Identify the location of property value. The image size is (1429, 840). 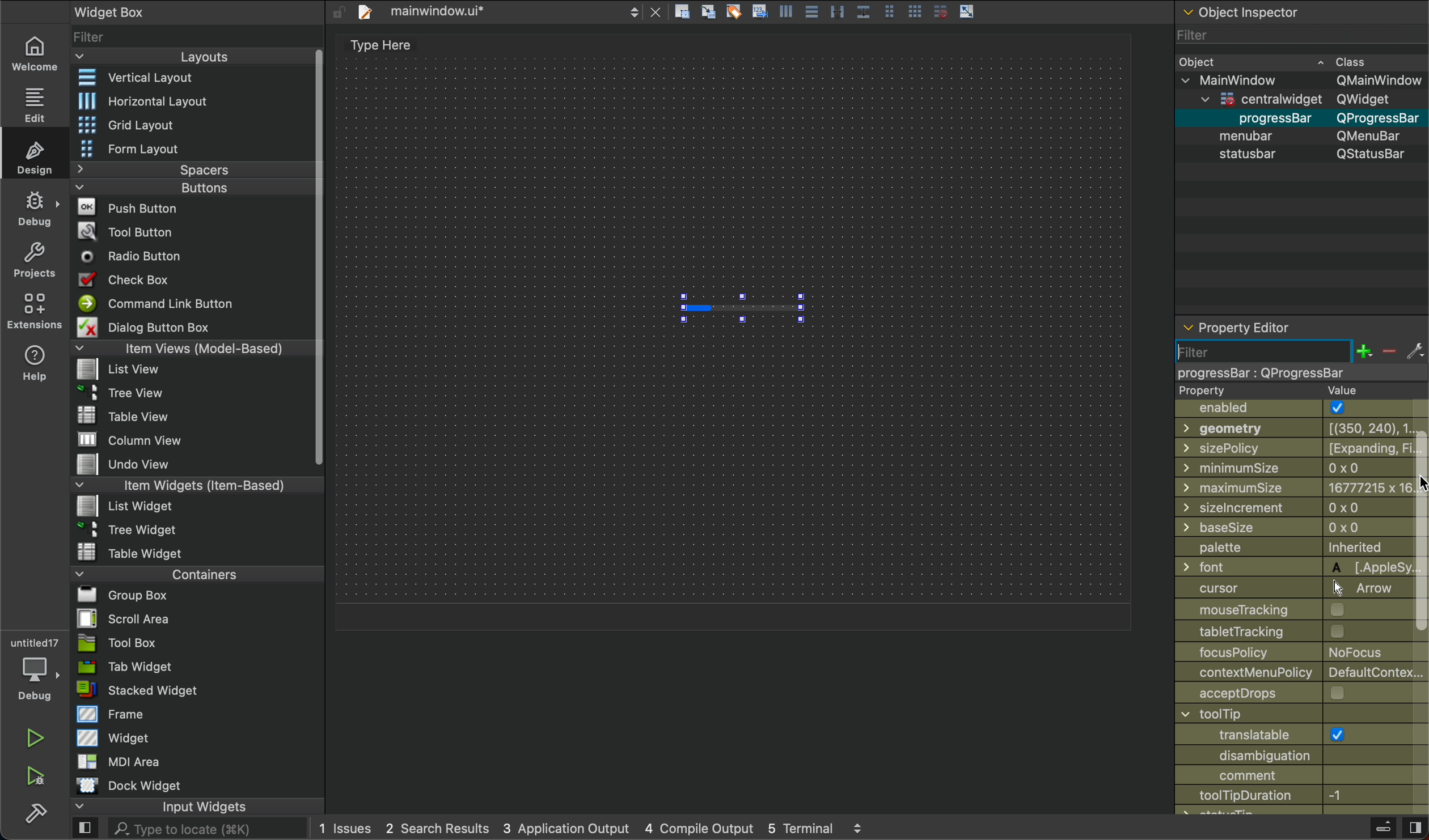
(1282, 391).